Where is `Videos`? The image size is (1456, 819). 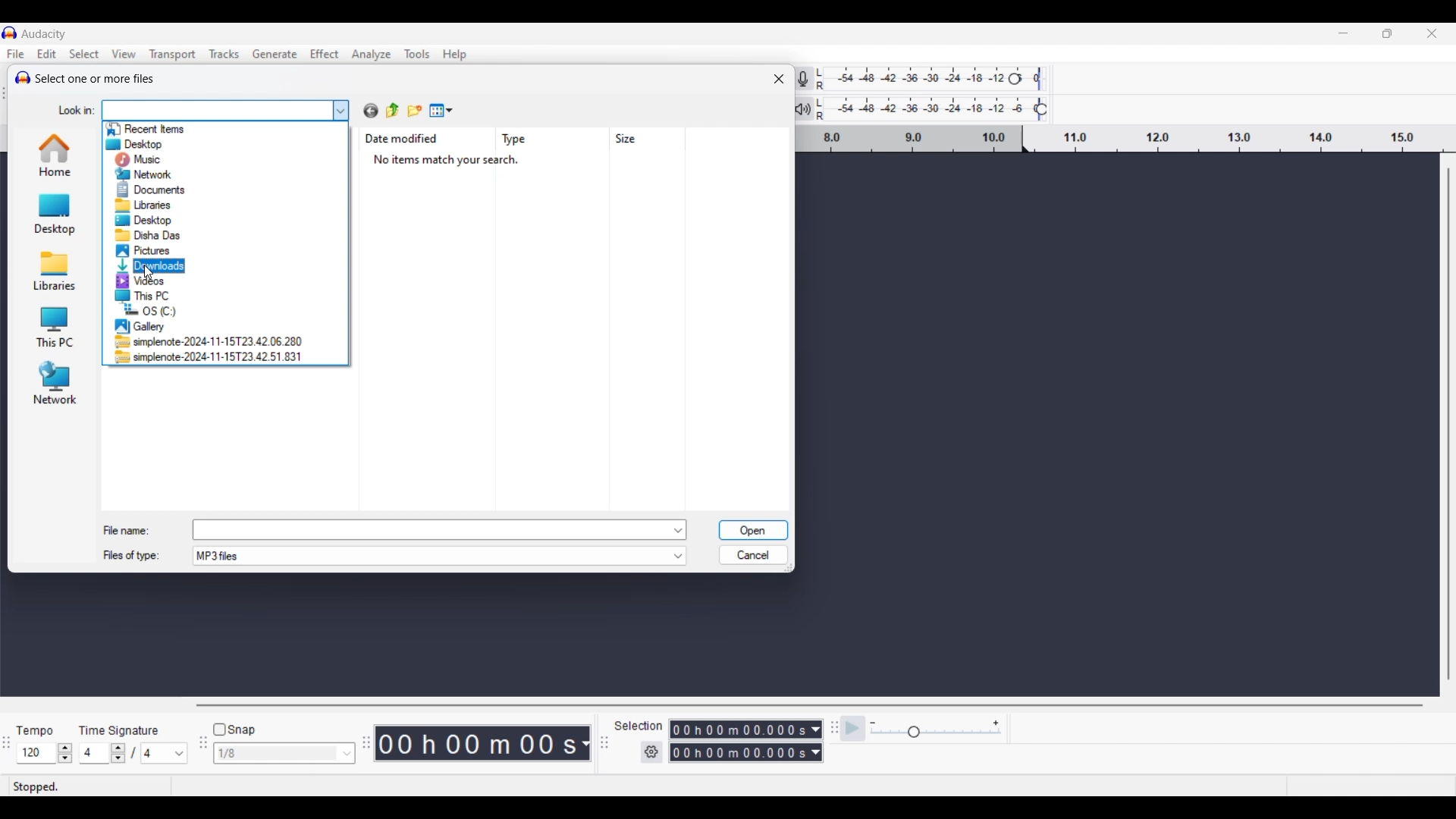 Videos is located at coordinates (154, 281).